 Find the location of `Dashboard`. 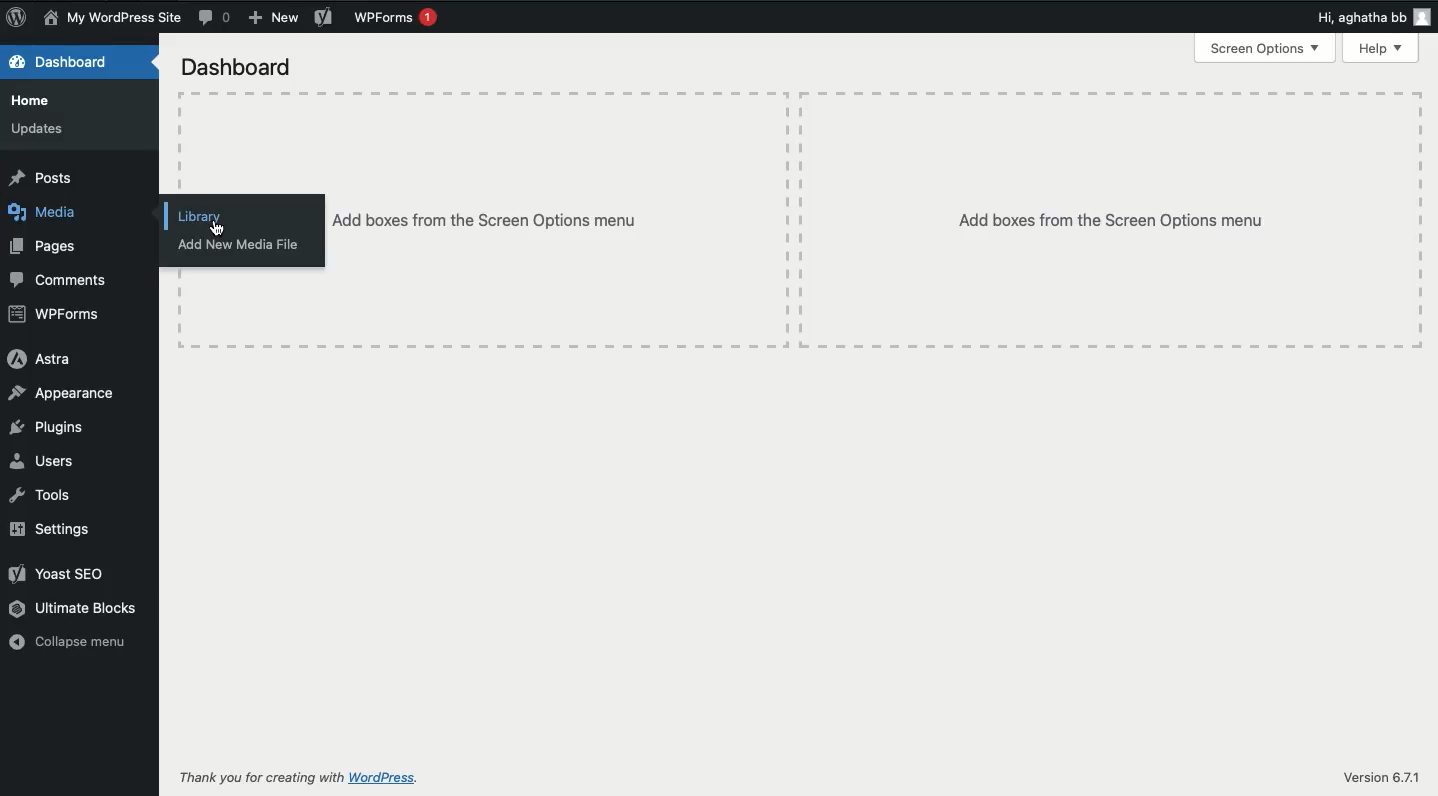

Dashboard is located at coordinates (75, 62).